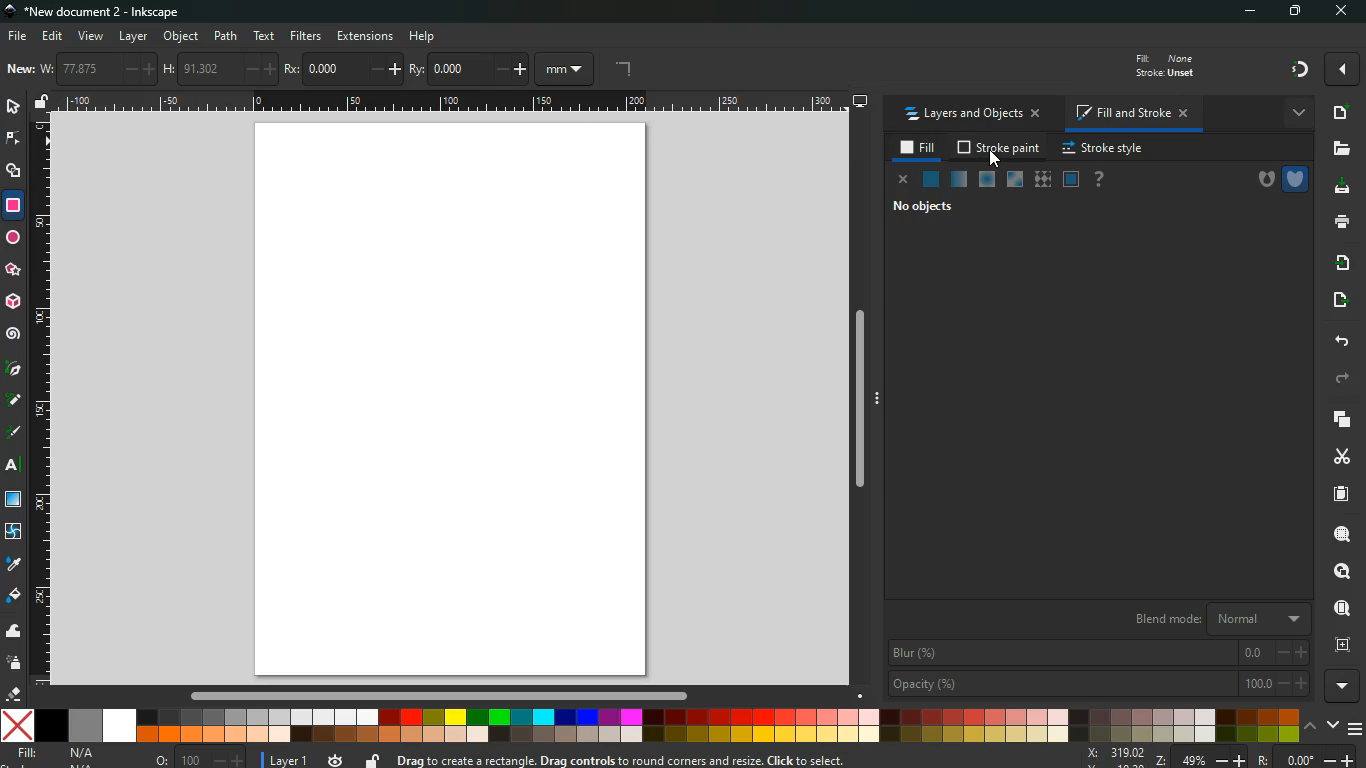 The image size is (1366, 768). What do you see at coordinates (308, 36) in the screenshot?
I see `filters` at bounding box center [308, 36].